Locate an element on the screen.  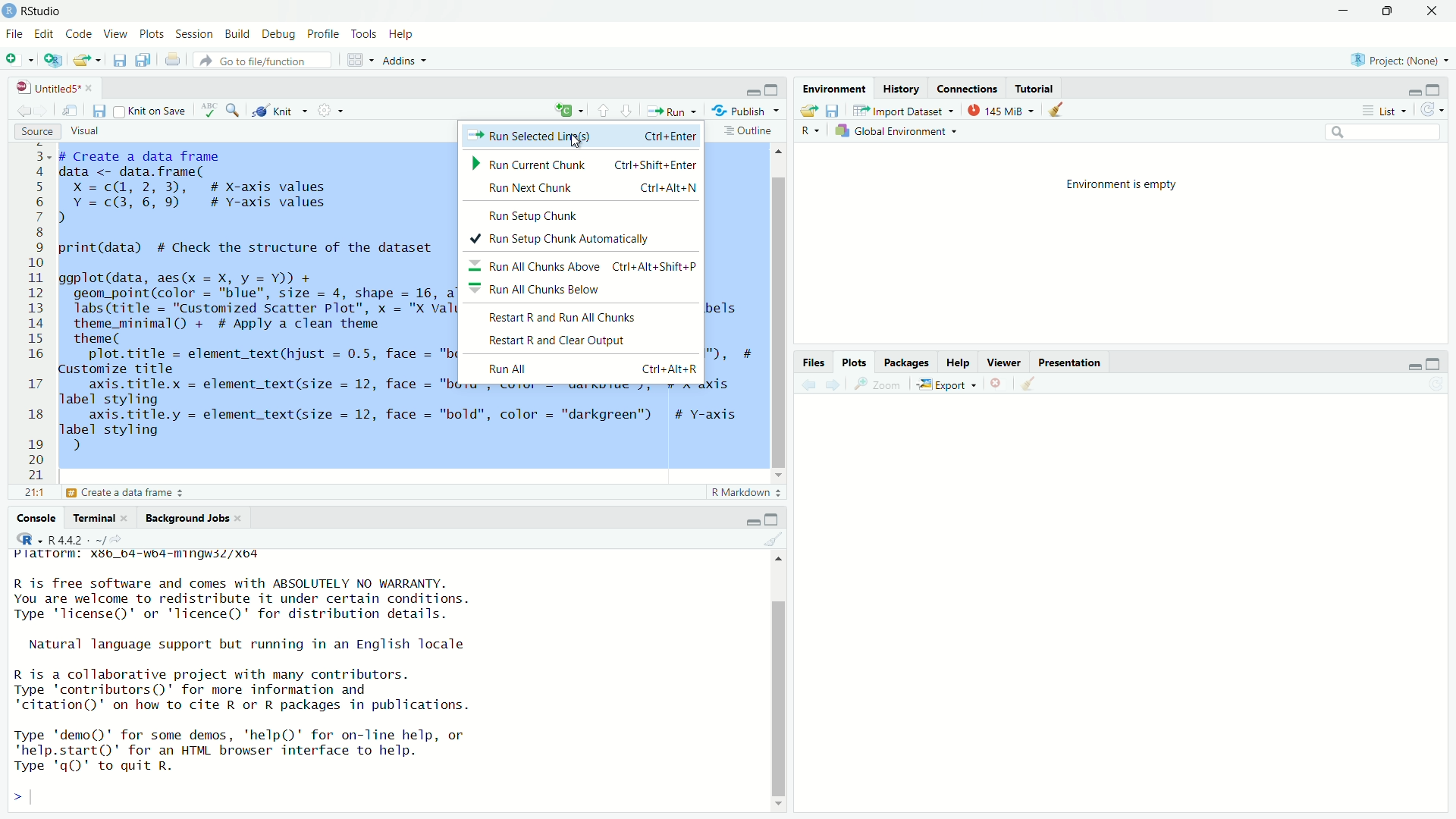
Kniit is located at coordinates (281, 108).